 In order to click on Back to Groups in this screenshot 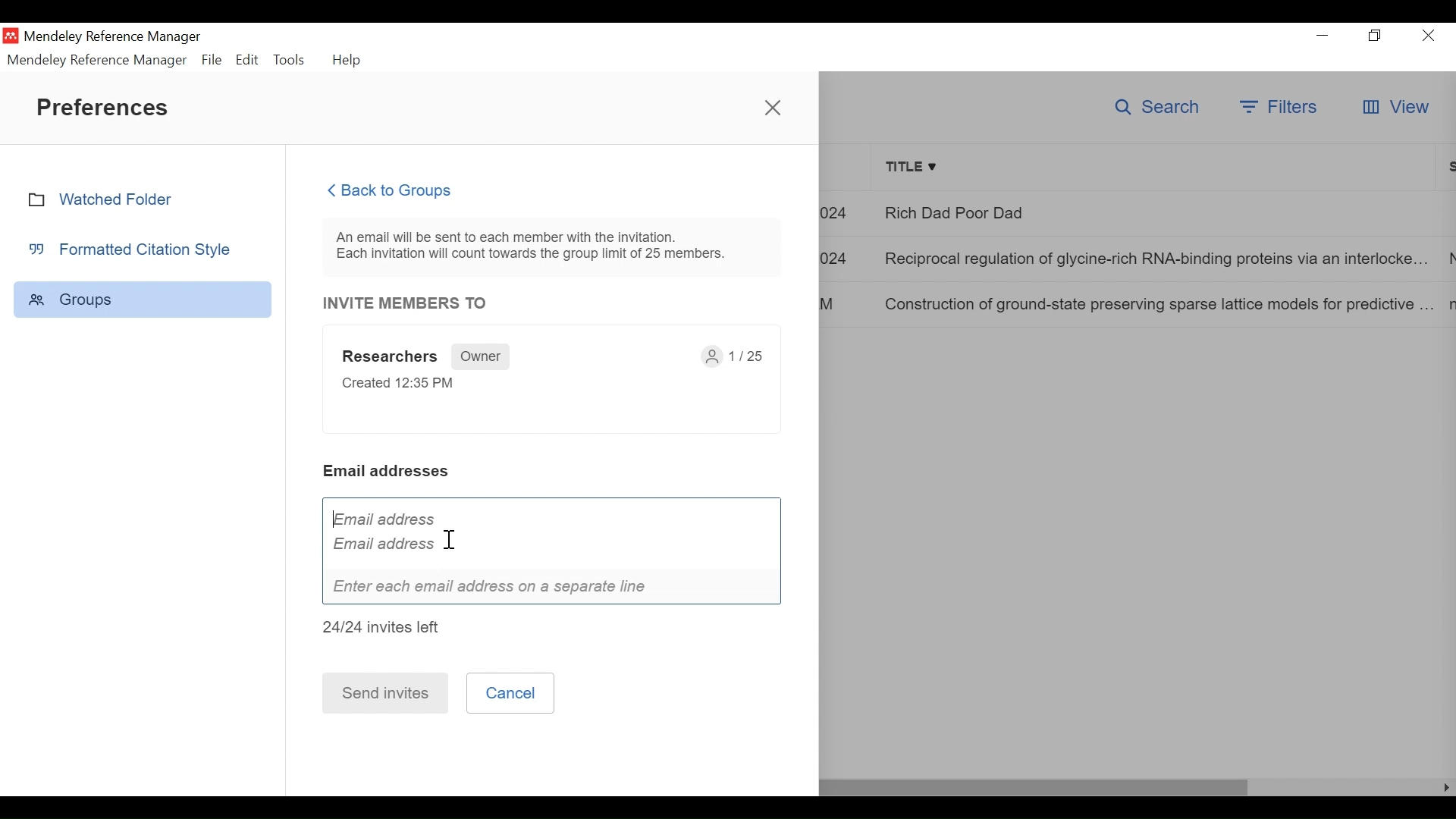, I will do `click(400, 190)`.